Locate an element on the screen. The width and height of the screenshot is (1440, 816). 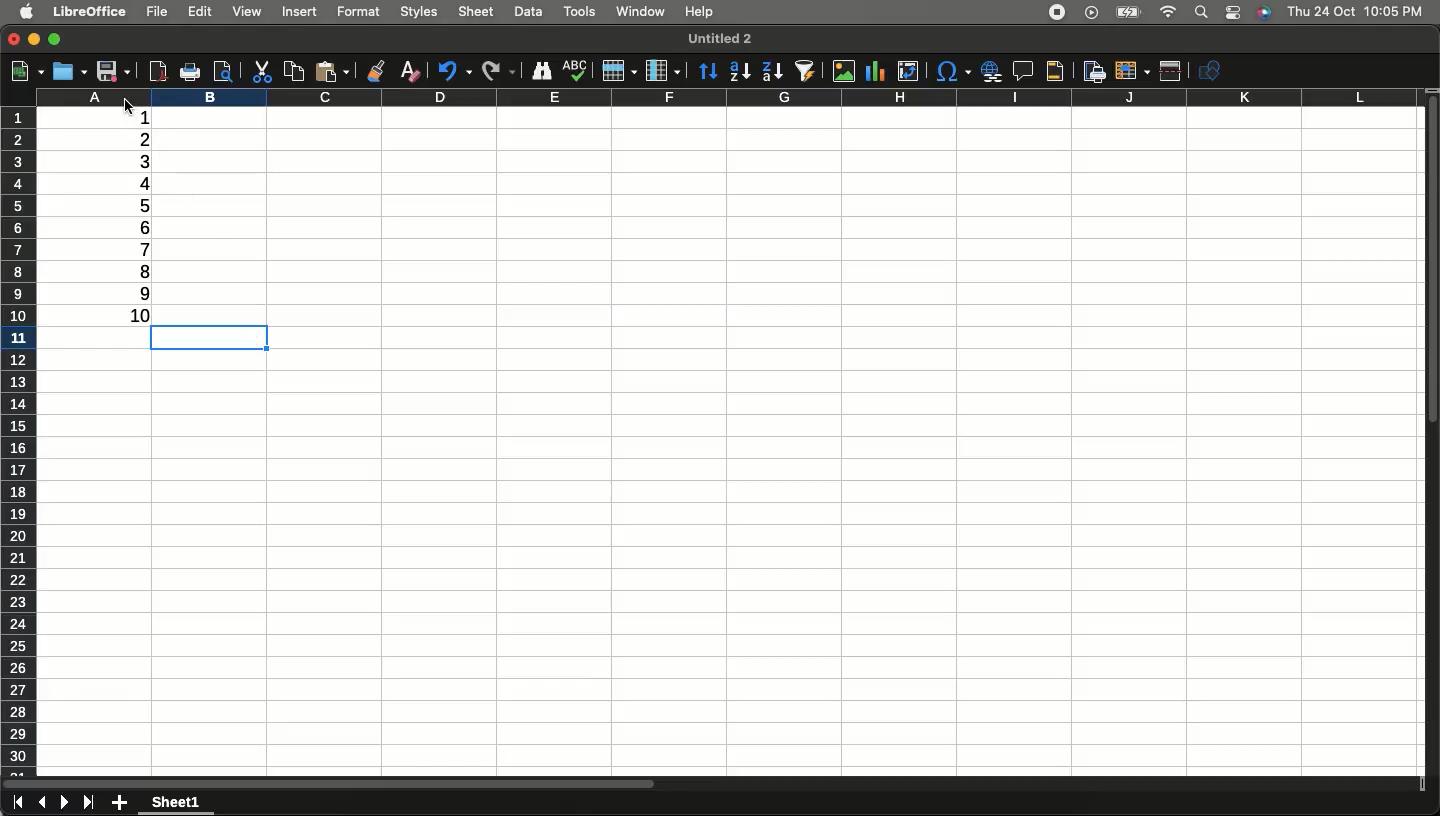
Data is located at coordinates (529, 10).